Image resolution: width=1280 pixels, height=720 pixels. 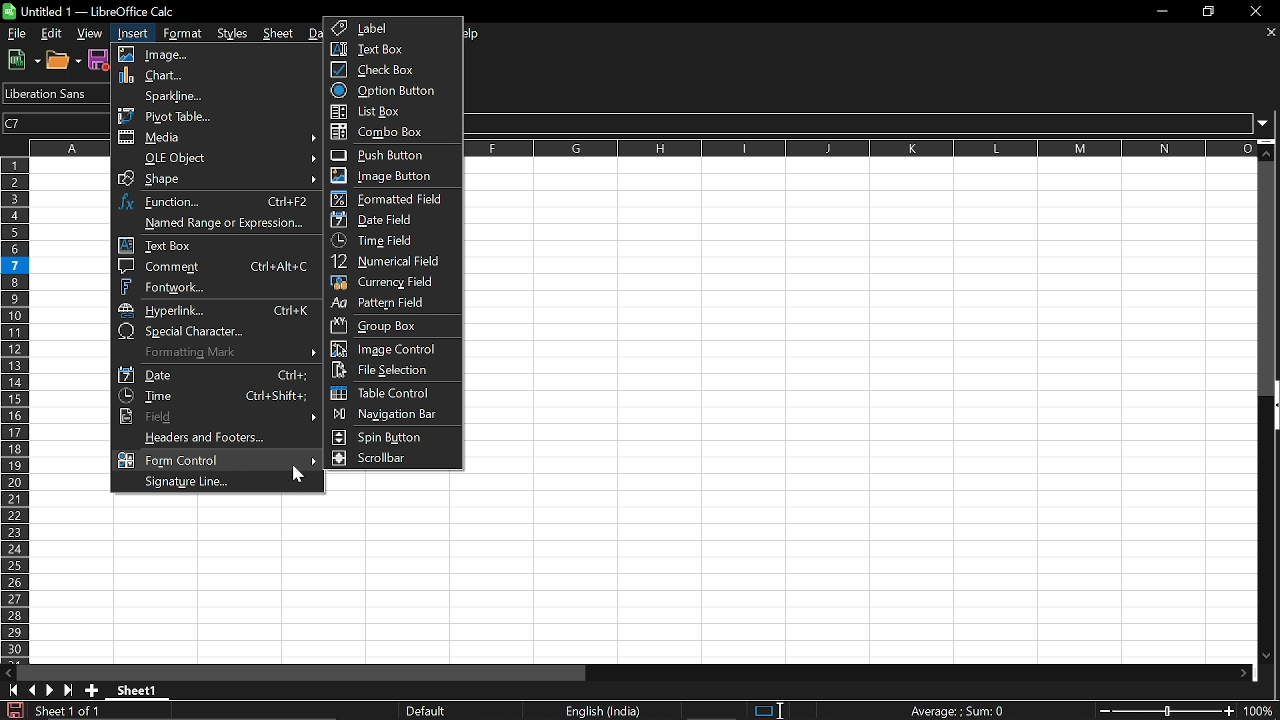 What do you see at coordinates (1168, 711) in the screenshot?
I see `Change Zoom` at bounding box center [1168, 711].